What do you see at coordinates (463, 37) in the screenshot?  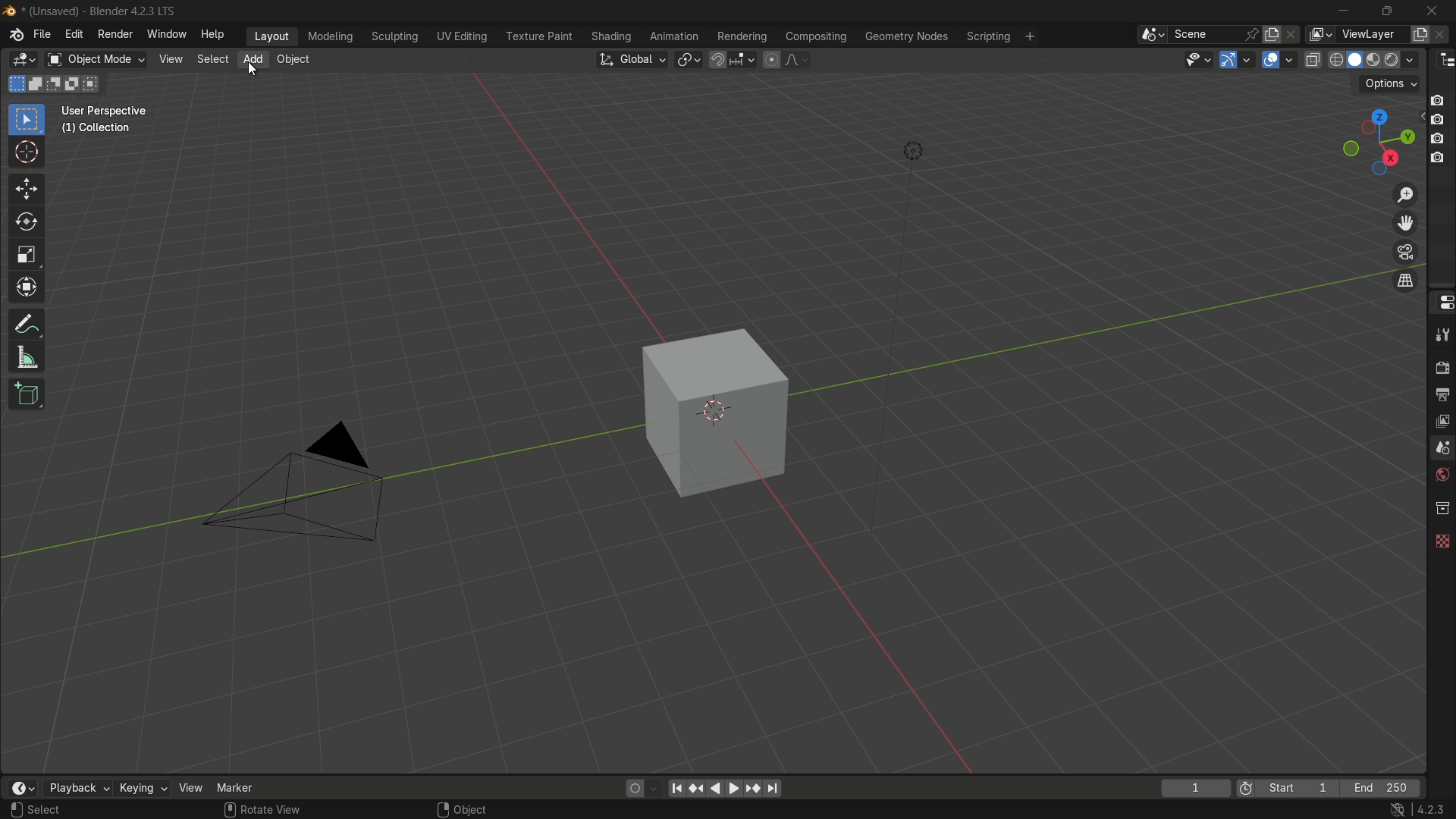 I see `uv editing menu` at bounding box center [463, 37].